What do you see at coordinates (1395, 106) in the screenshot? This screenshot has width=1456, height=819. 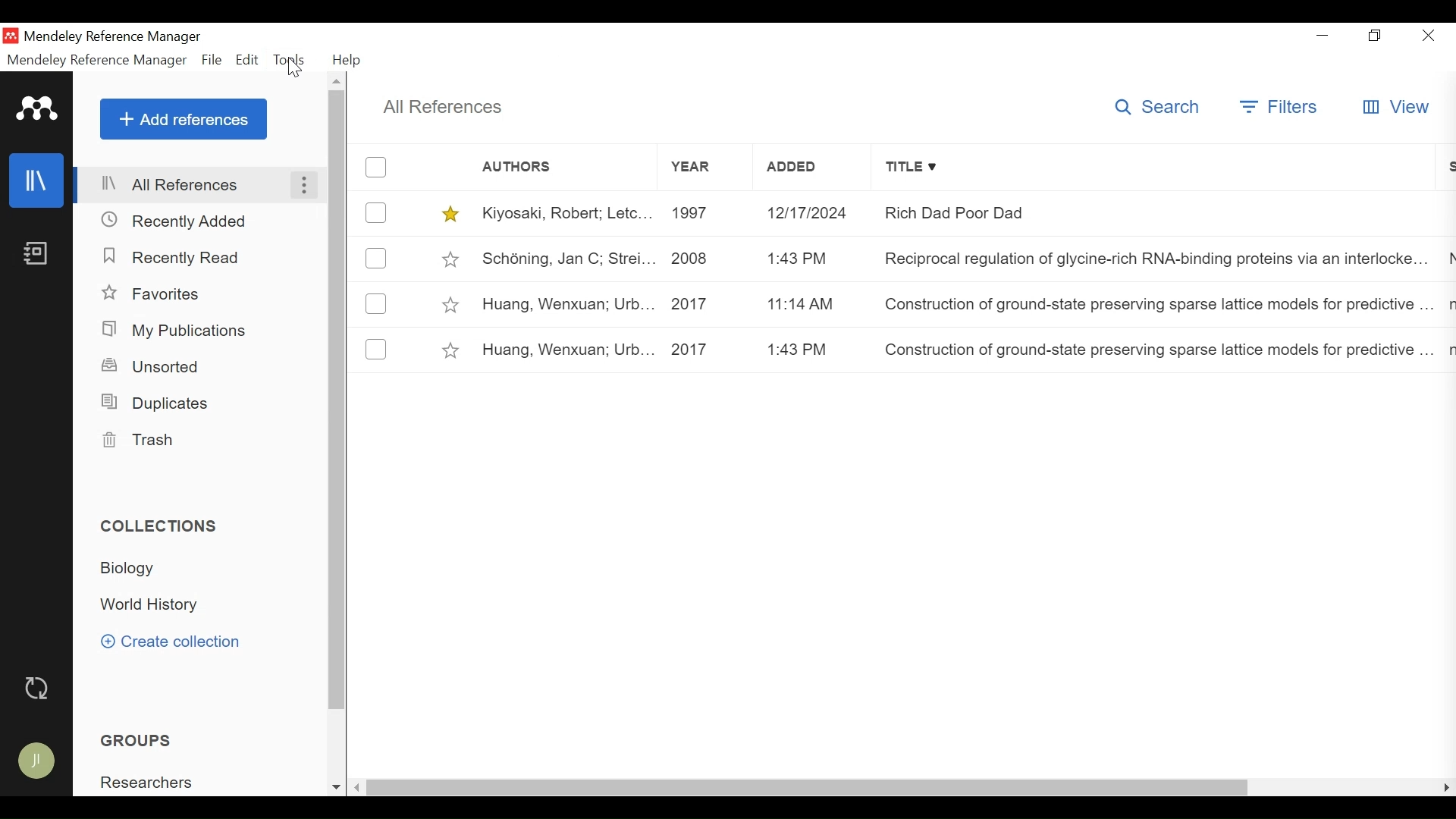 I see `View` at bounding box center [1395, 106].